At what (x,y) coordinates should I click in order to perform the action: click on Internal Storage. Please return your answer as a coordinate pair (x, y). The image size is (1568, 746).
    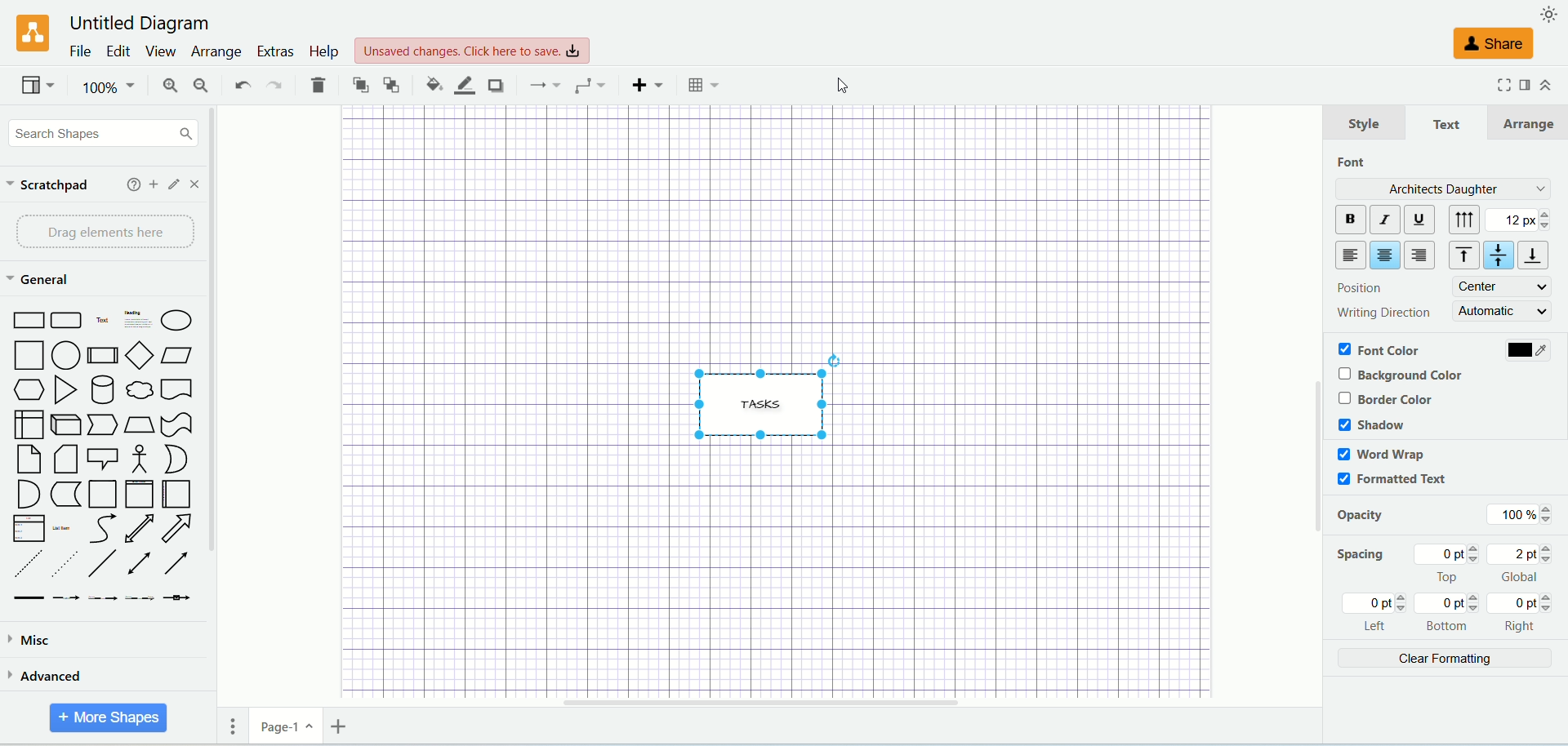
    Looking at the image, I should click on (28, 424).